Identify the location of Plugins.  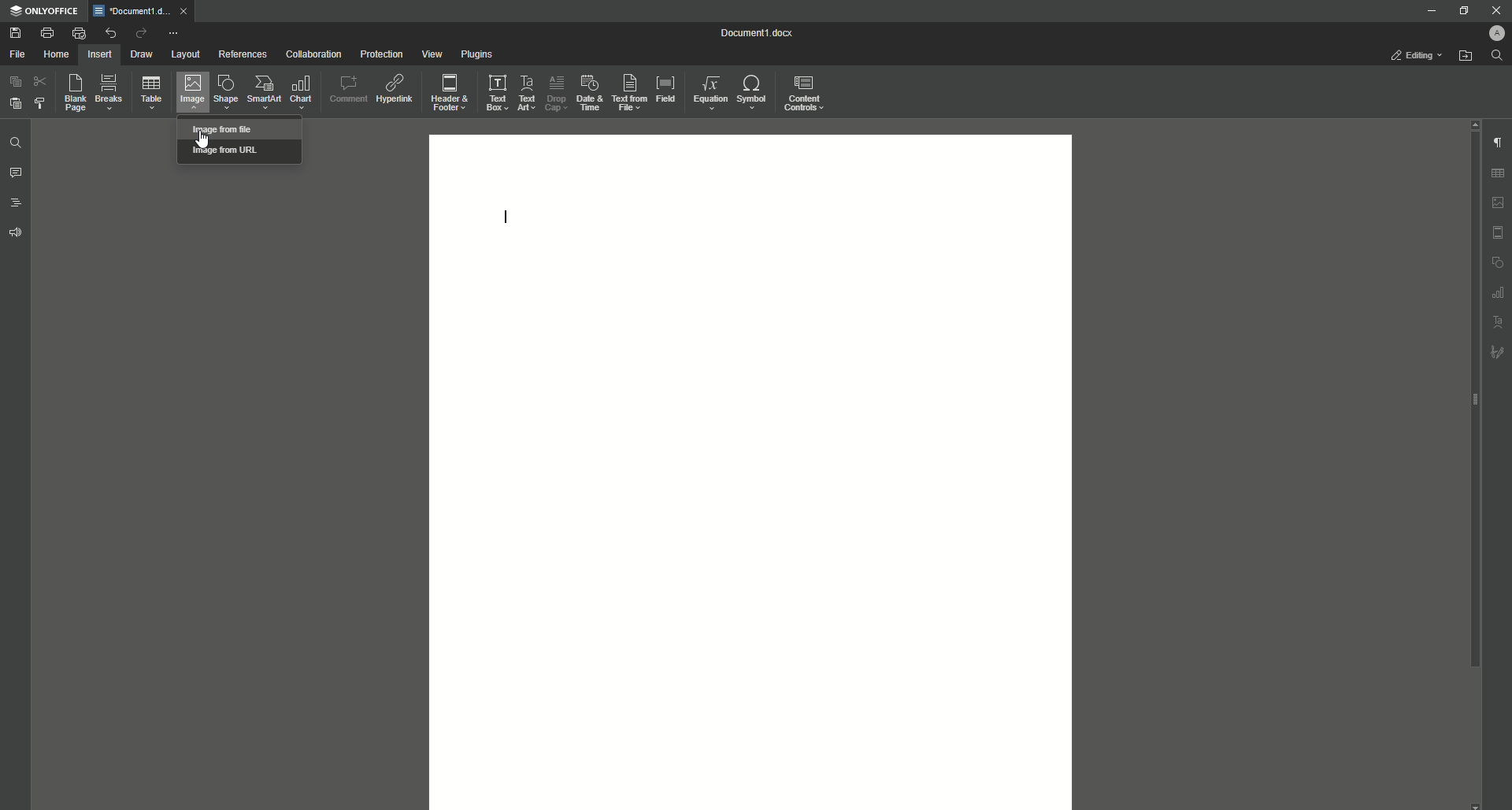
(478, 56).